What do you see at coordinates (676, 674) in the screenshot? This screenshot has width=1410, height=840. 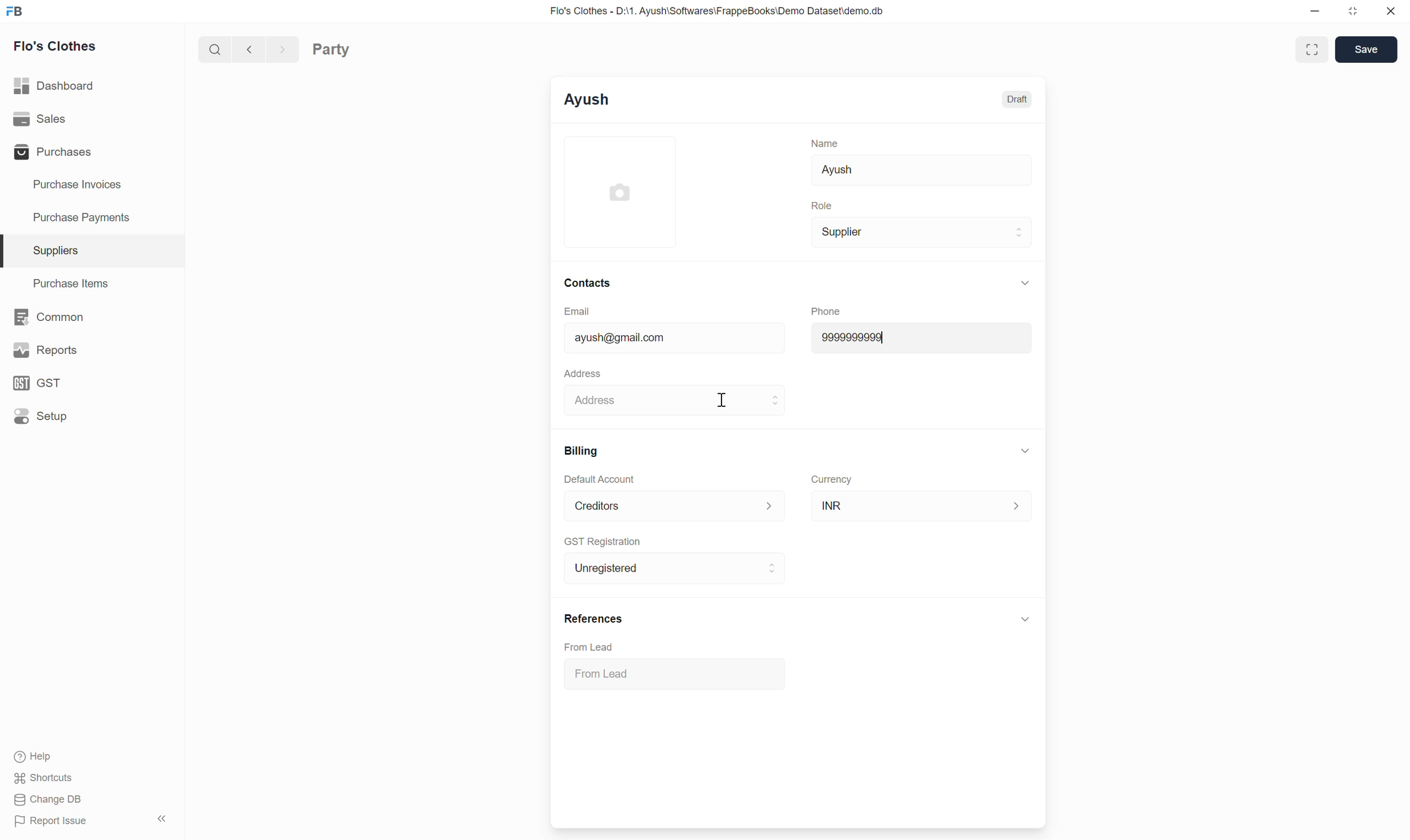 I see `From Lead` at bounding box center [676, 674].